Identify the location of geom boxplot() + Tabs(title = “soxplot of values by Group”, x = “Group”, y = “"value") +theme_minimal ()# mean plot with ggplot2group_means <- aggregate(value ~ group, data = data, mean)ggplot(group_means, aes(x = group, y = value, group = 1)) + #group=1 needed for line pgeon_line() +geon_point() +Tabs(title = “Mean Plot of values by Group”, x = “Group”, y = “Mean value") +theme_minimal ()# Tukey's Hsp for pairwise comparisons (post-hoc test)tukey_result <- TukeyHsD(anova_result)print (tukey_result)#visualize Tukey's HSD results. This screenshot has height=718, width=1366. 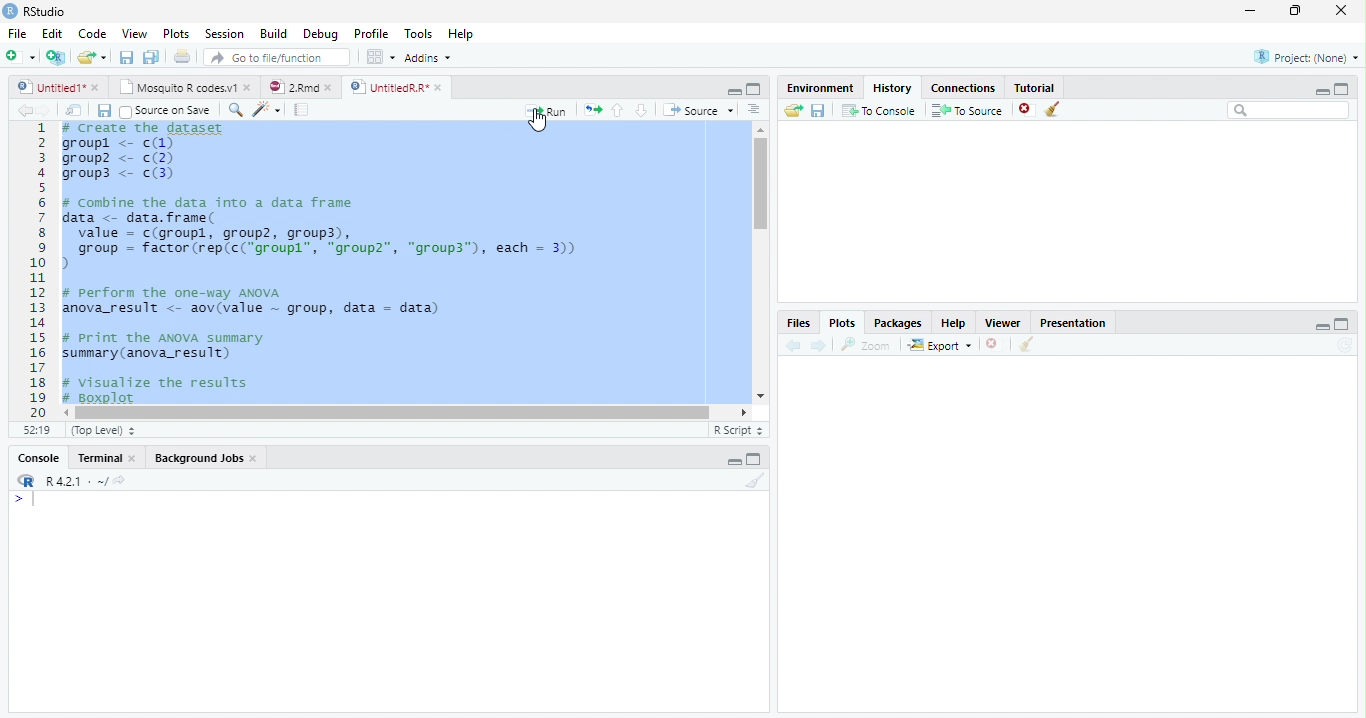
(400, 264).